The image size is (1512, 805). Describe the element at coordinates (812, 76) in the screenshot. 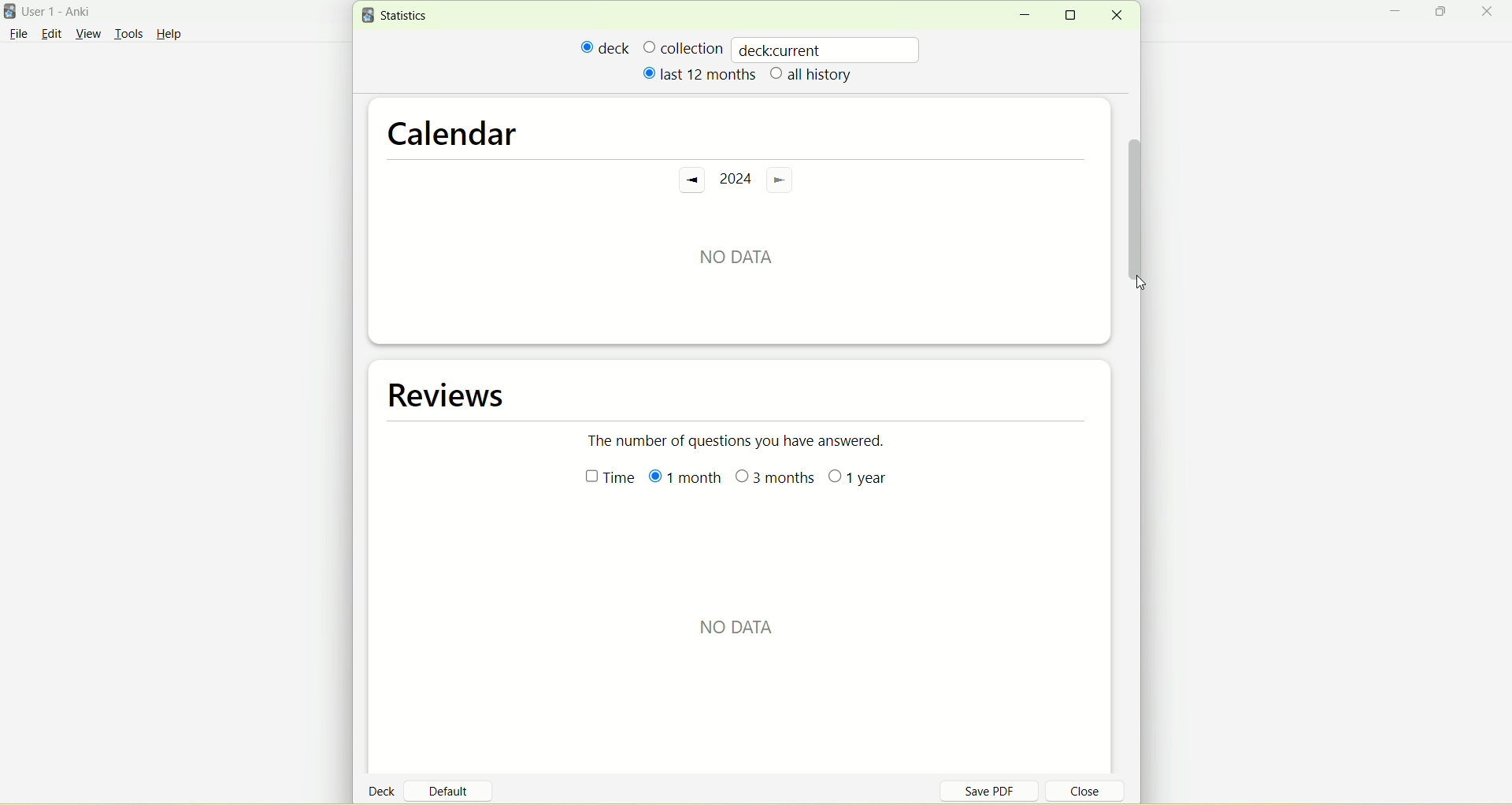

I see `all history` at that location.